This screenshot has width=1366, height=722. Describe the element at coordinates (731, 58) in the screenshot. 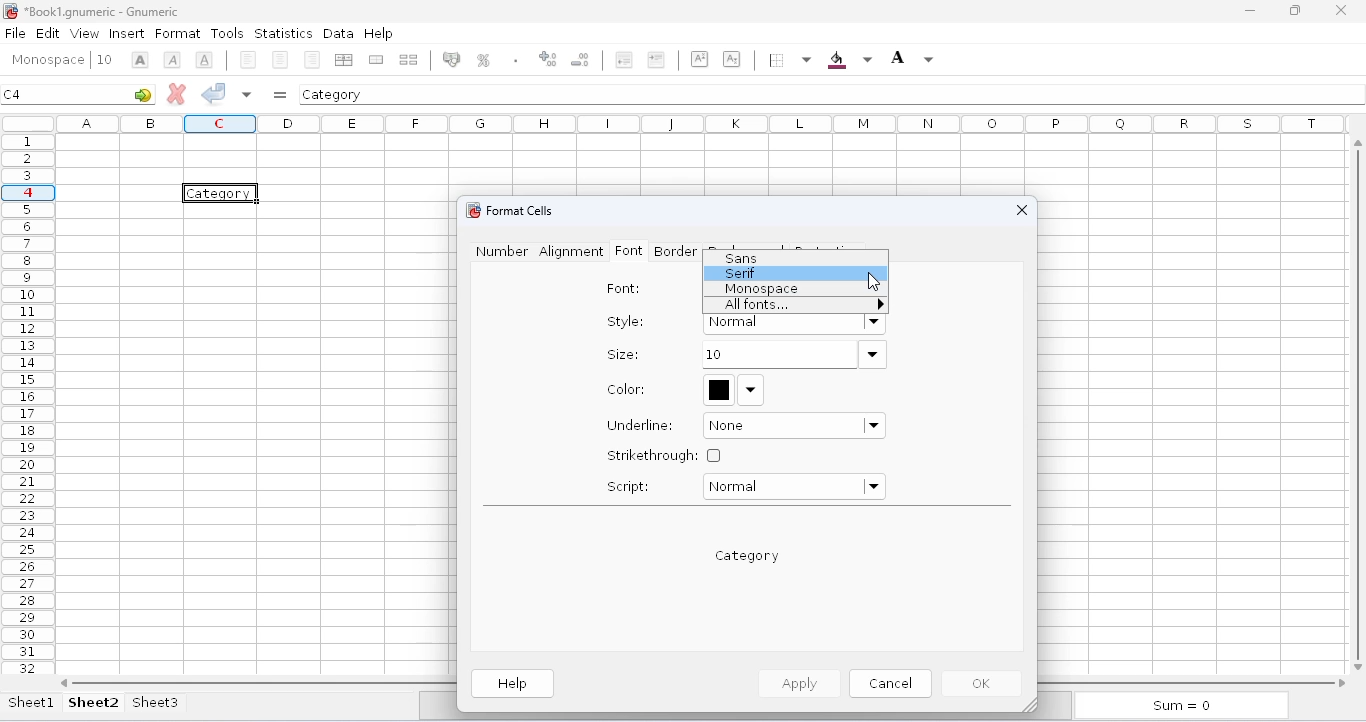

I see `subscript` at that location.